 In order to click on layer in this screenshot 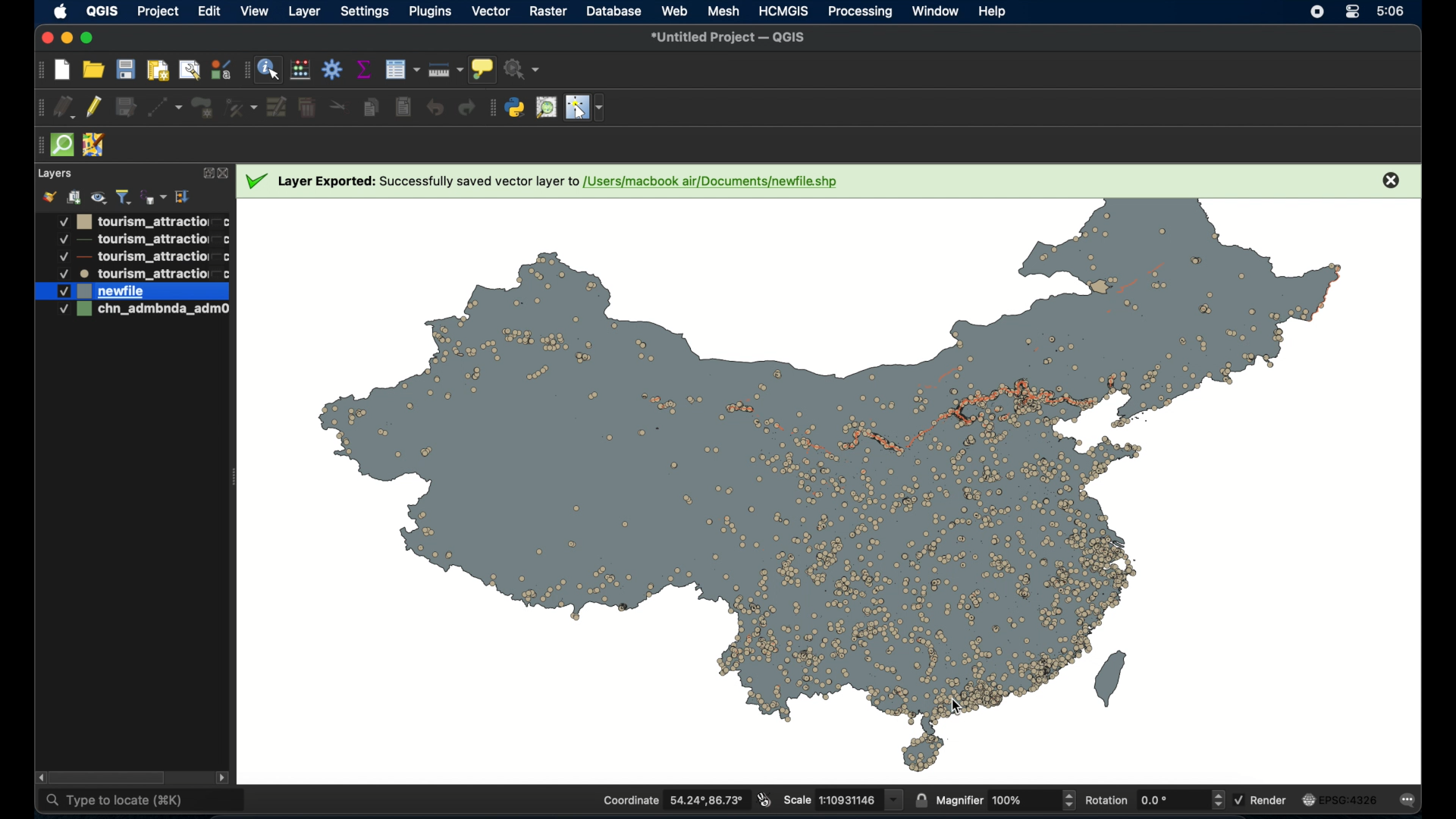, I will do `click(54, 174)`.